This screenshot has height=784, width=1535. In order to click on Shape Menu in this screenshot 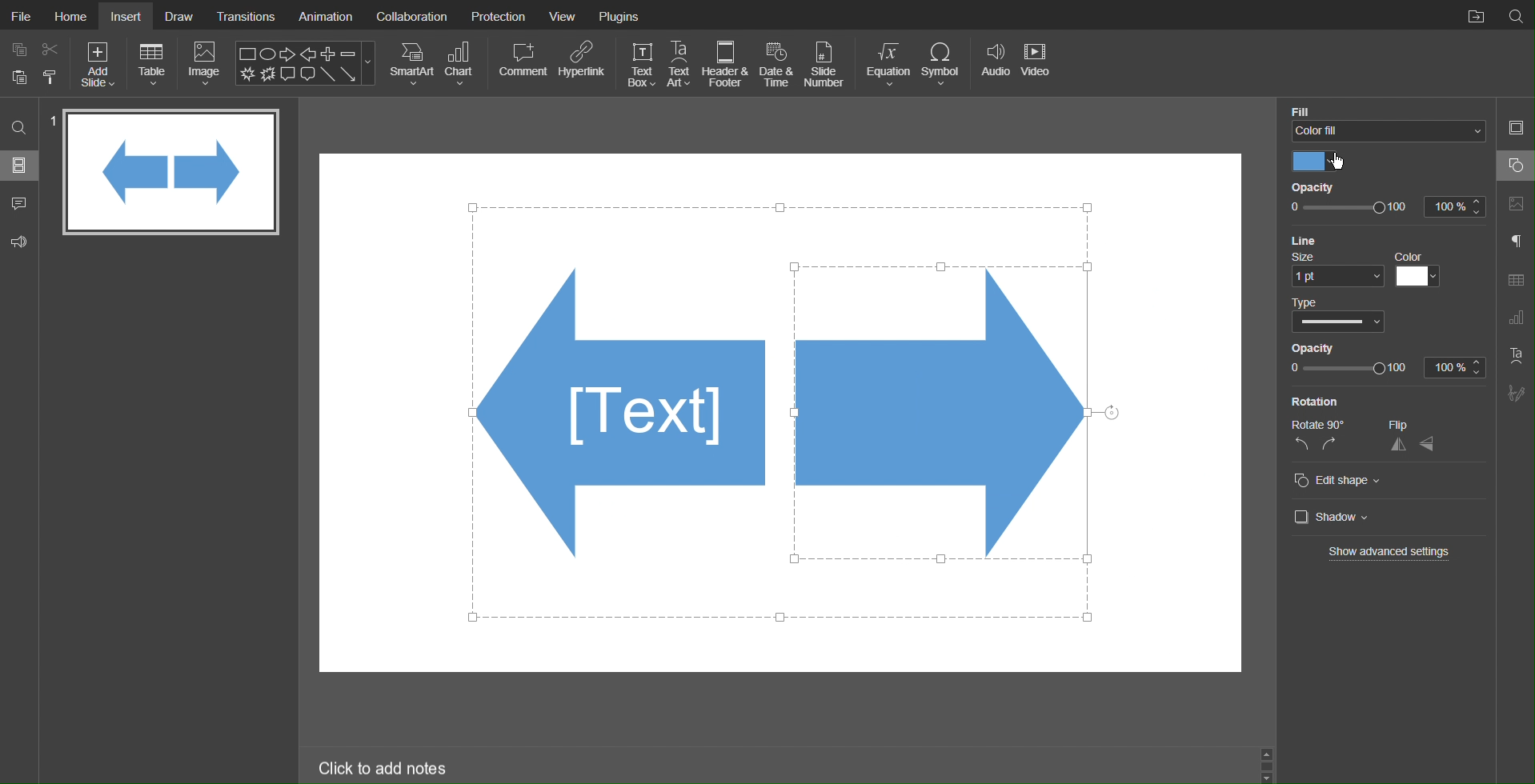, I will do `click(306, 62)`.